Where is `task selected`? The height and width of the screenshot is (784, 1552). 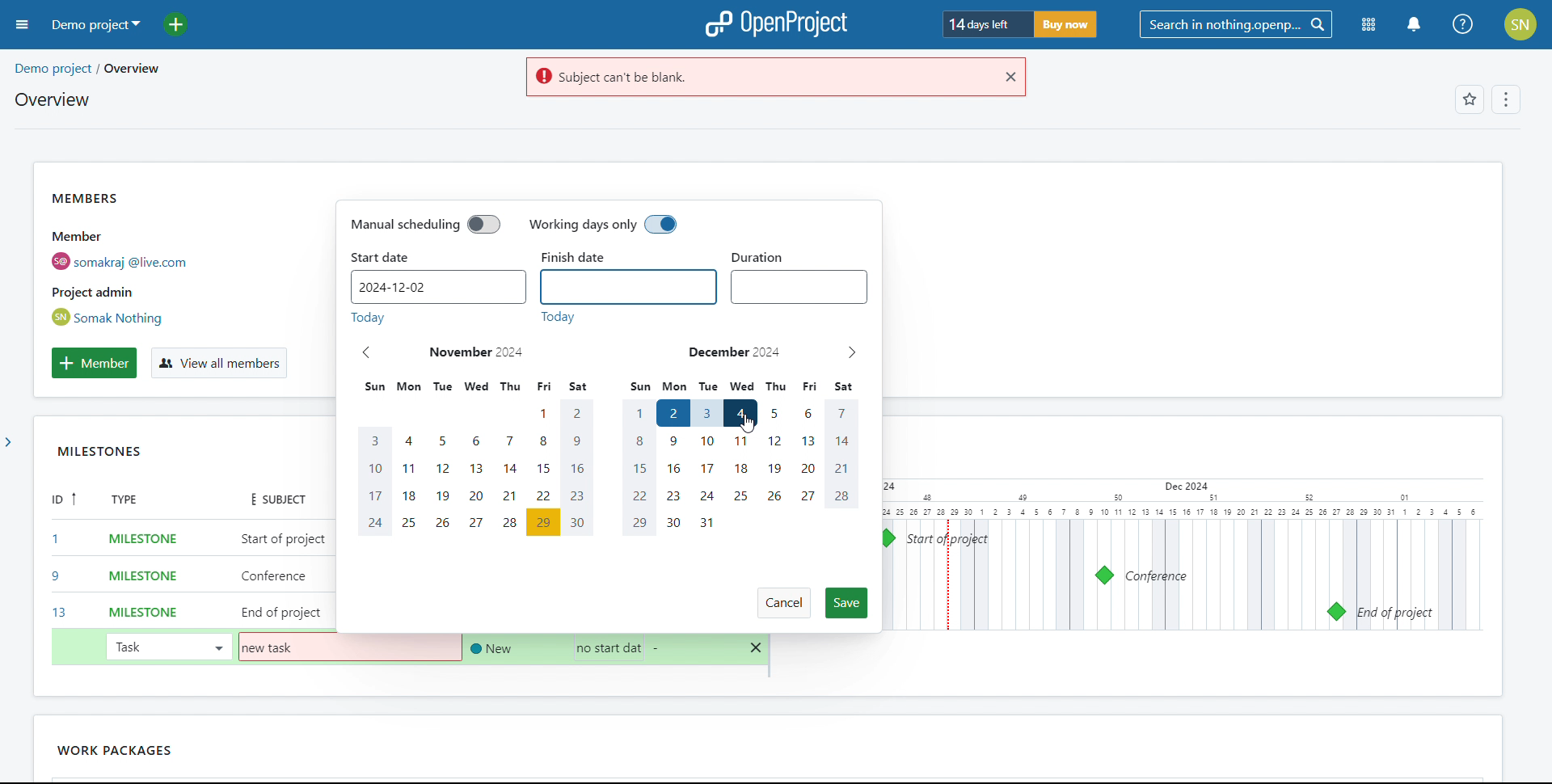 task selected is located at coordinates (167, 646).